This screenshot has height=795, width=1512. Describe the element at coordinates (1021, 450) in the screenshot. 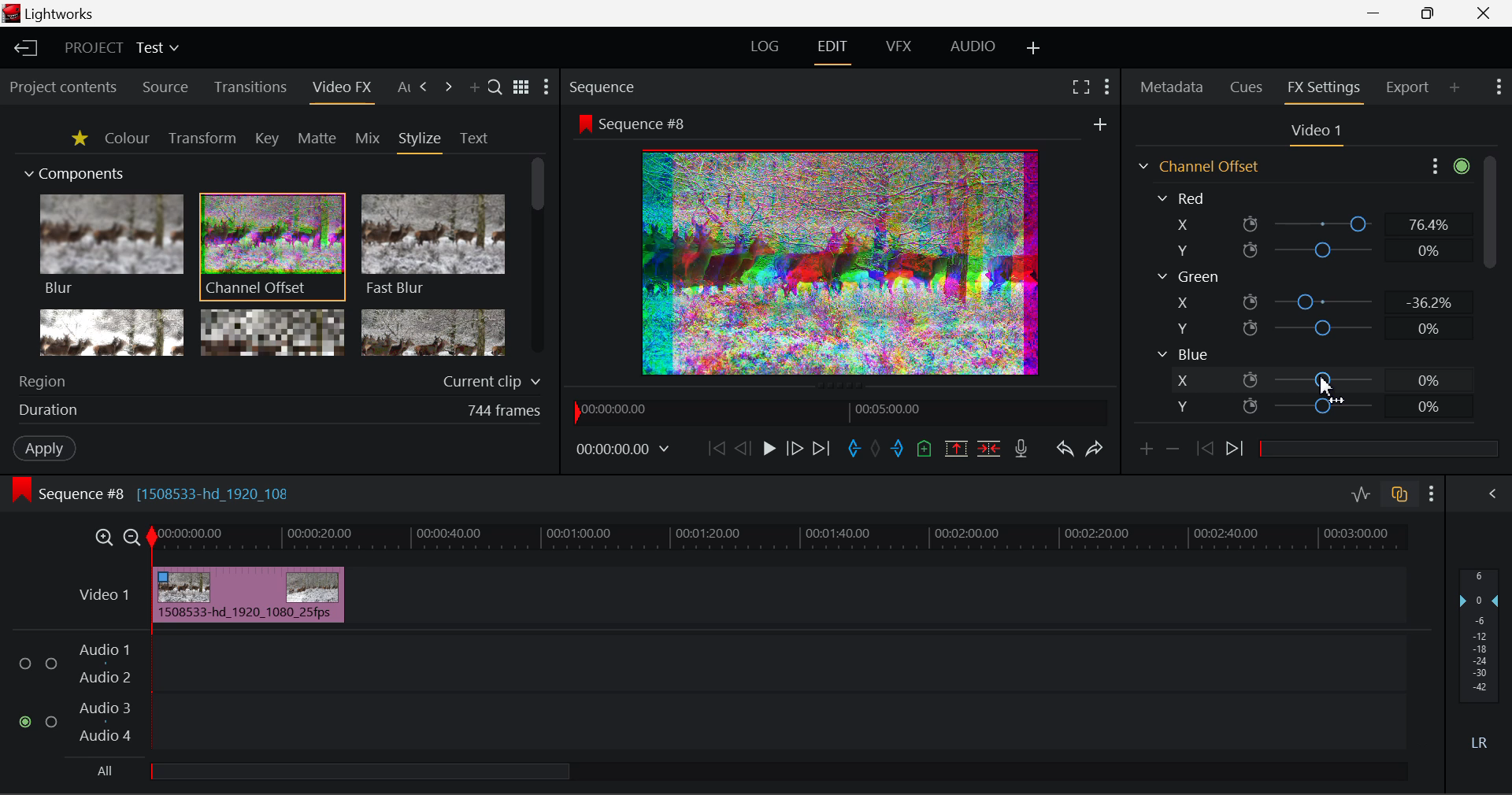

I see `Record Voiceover` at that location.